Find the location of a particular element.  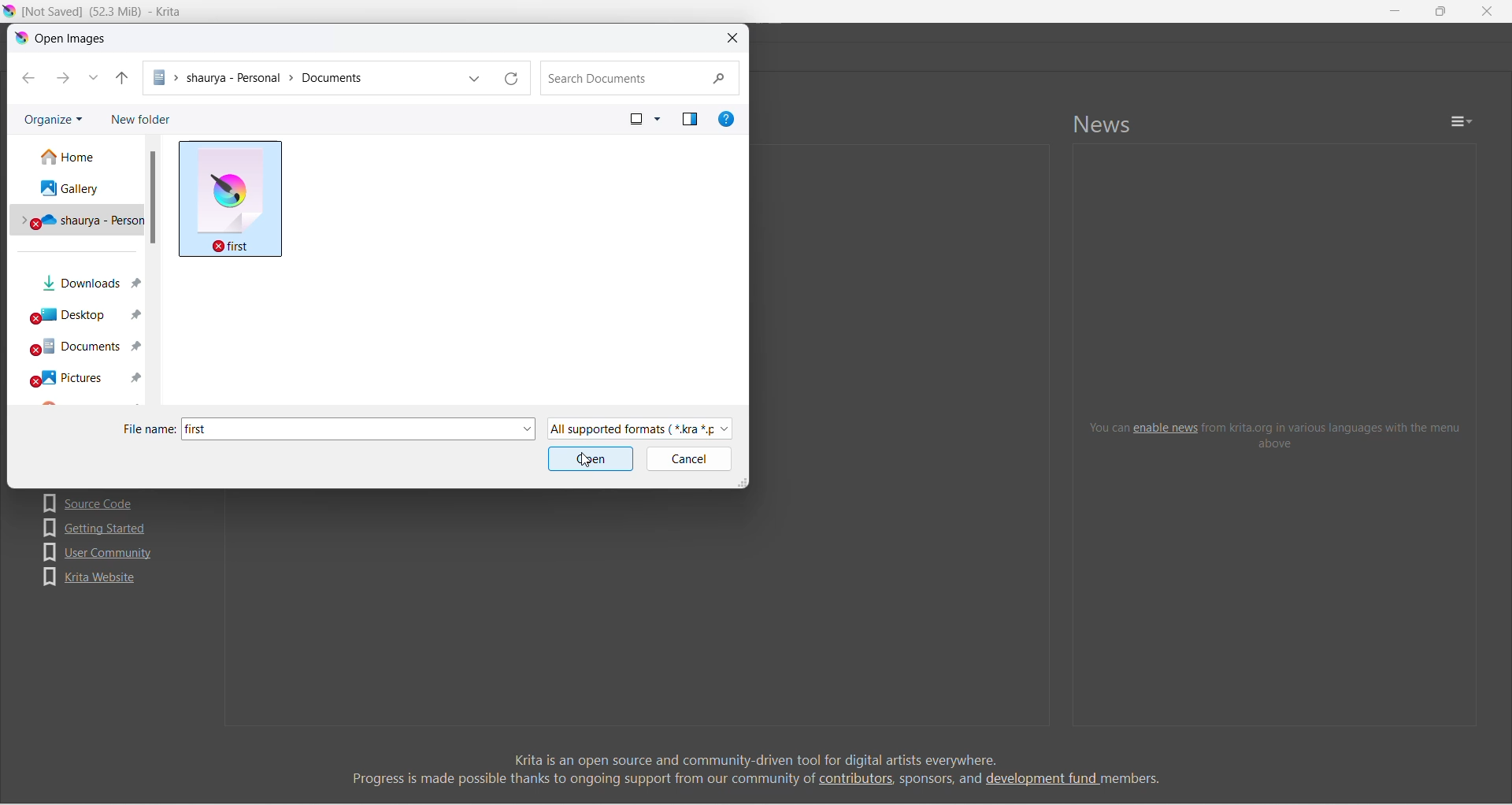

gallery is located at coordinates (76, 186).